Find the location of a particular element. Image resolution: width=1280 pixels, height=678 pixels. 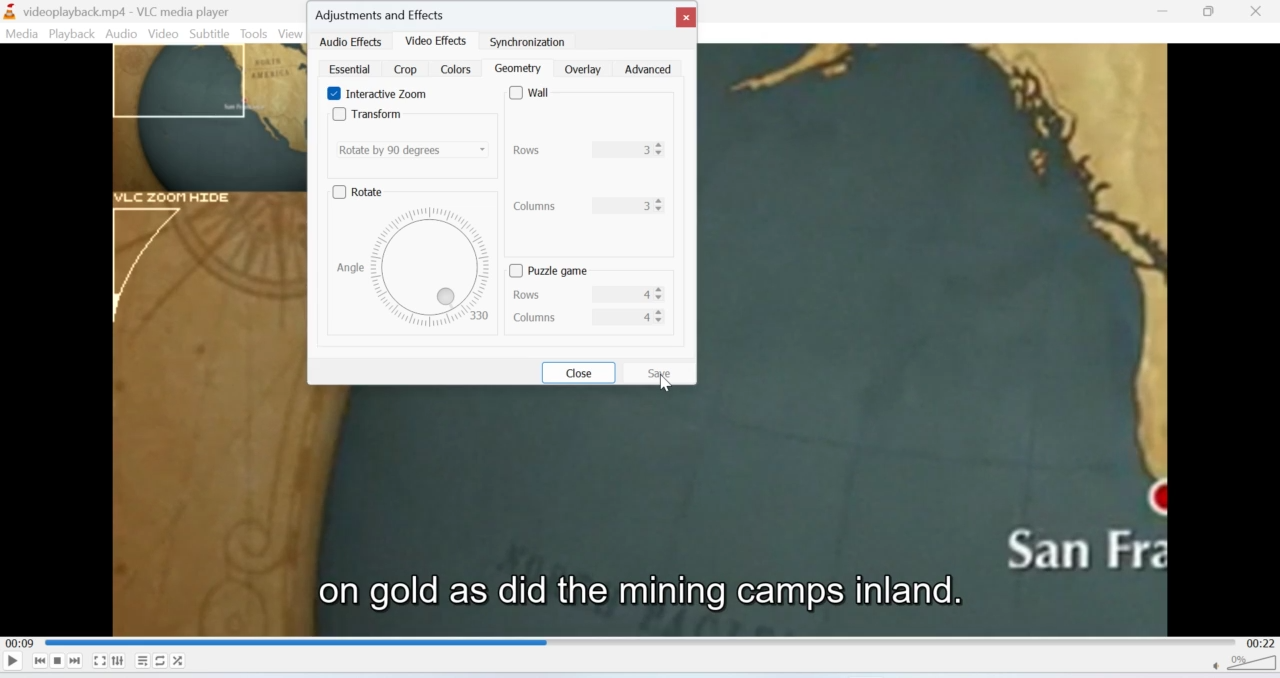

00:22 is located at coordinates (1263, 643).